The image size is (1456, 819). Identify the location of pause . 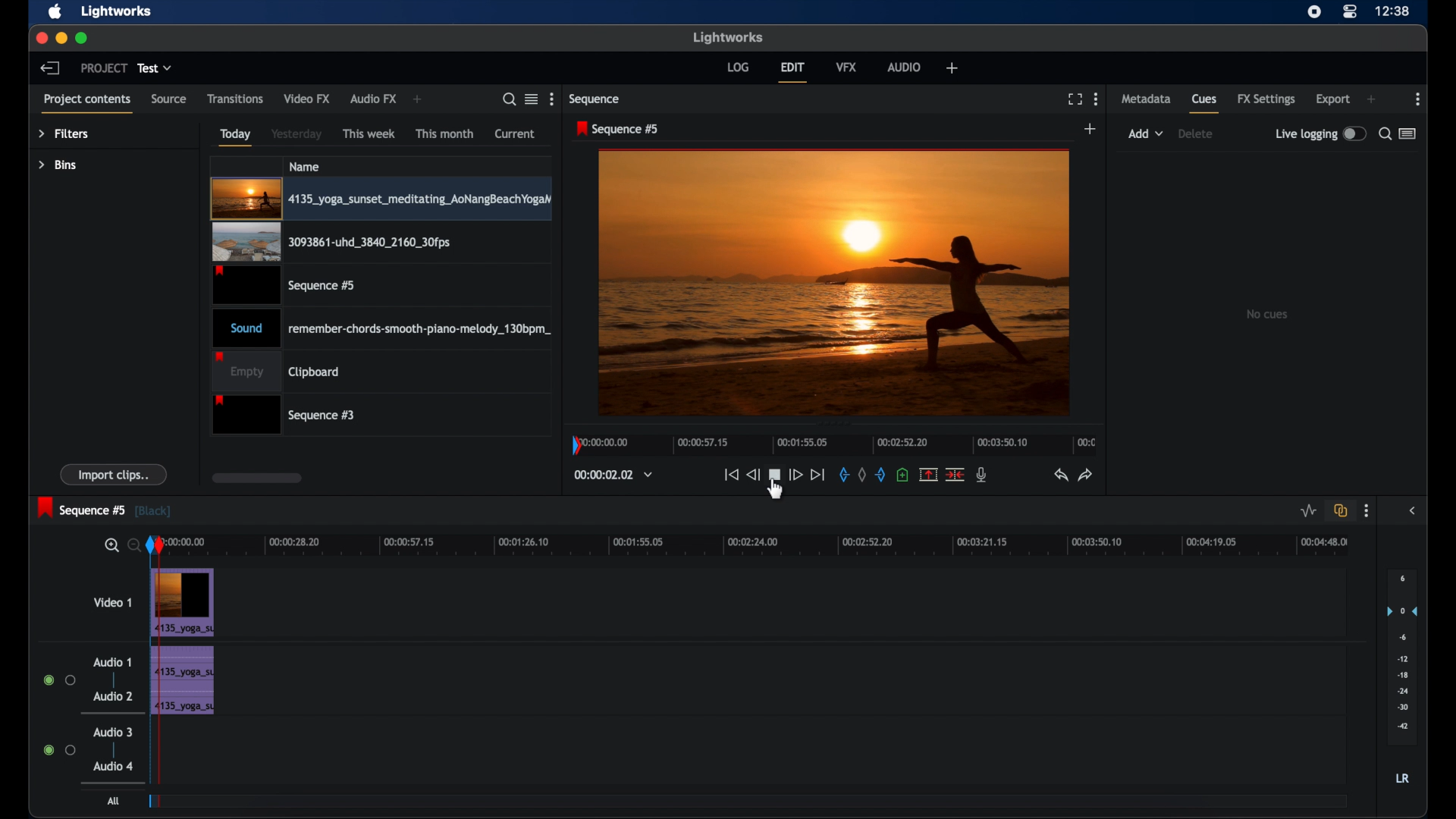
(774, 475).